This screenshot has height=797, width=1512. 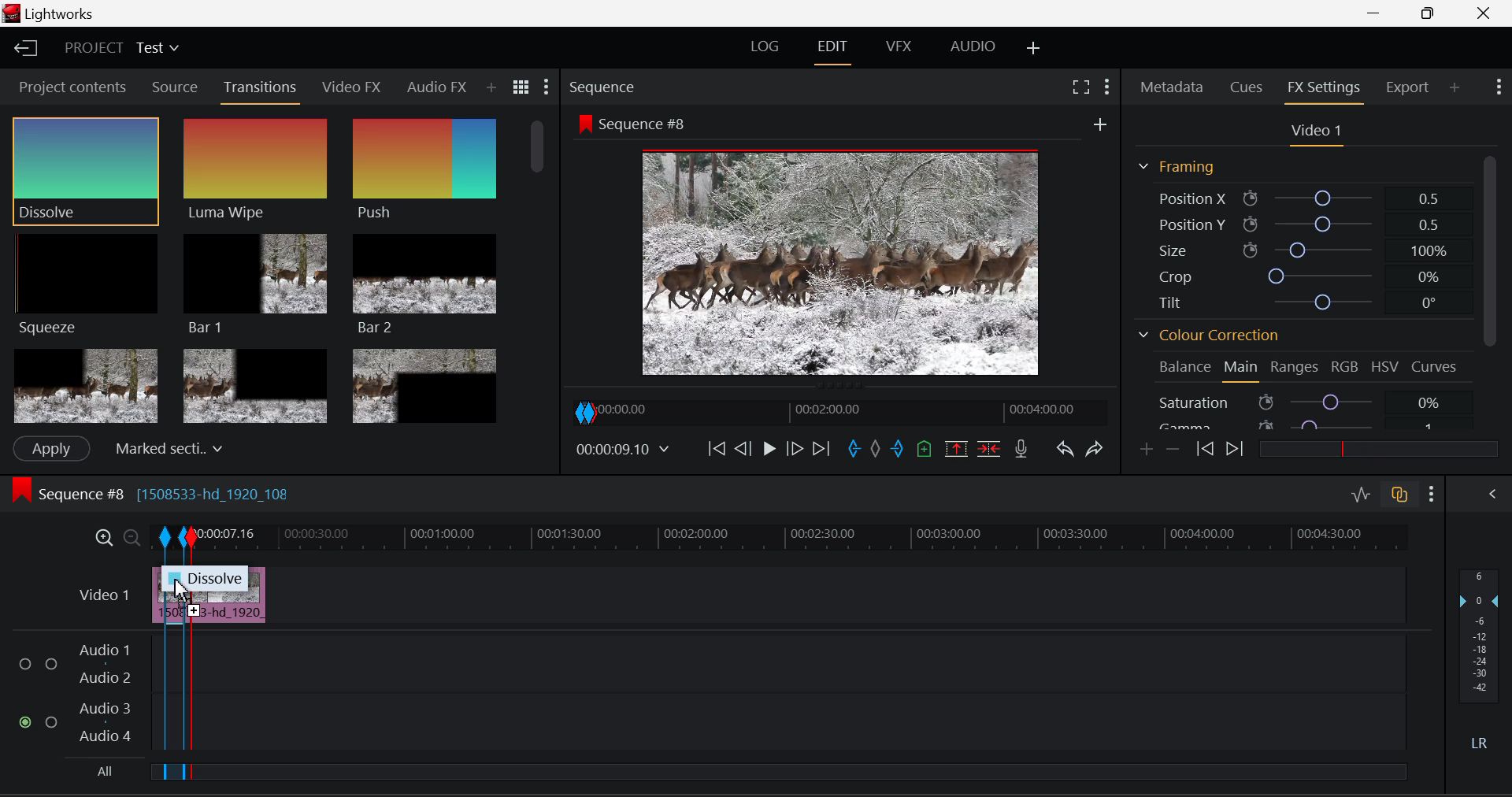 What do you see at coordinates (1431, 14) in the screenshot?
I see `Minimize` at bounding box center [1431, 14].